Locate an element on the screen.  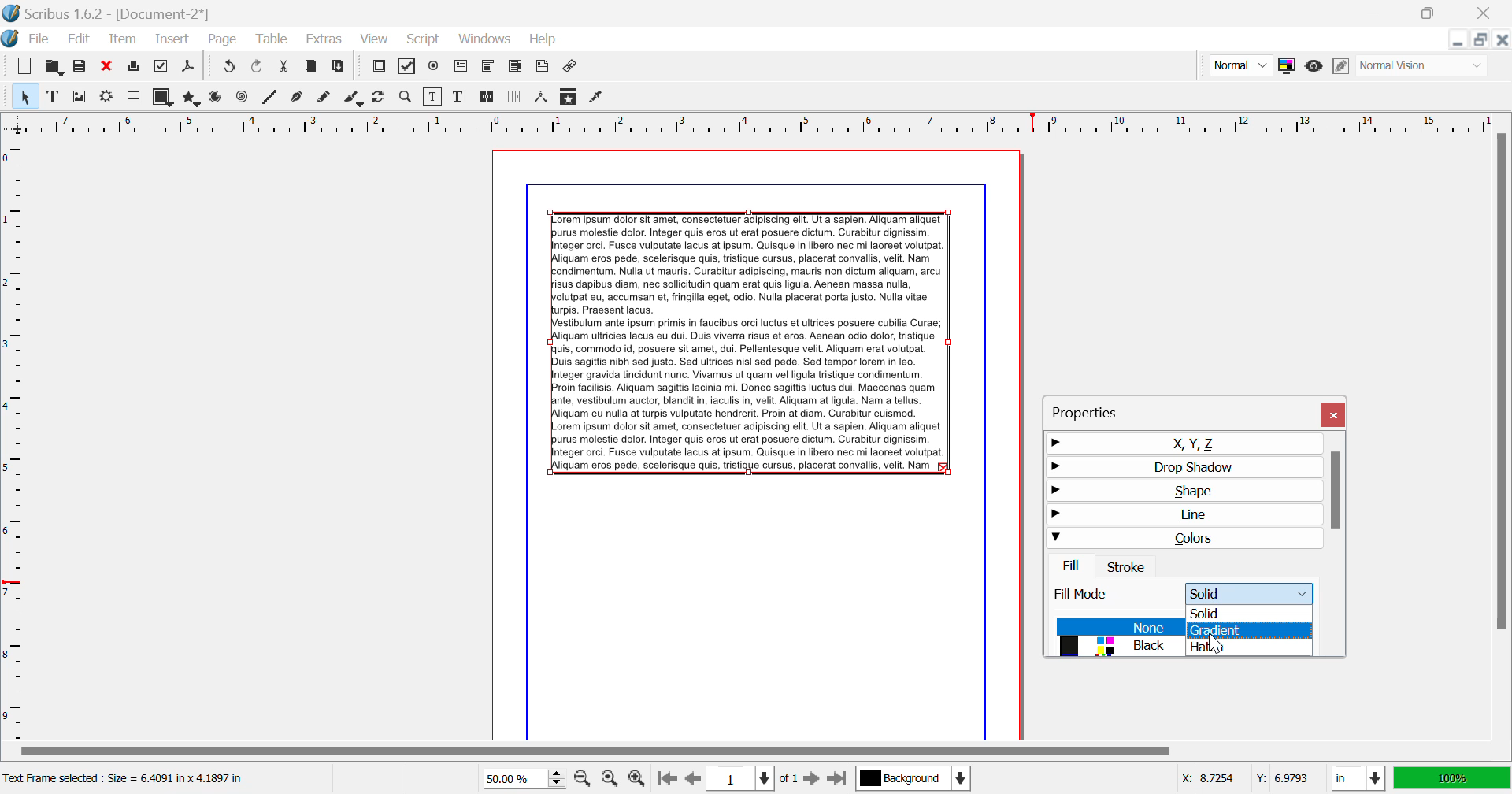
Toggle Color Management is located at coordinates (1286, 65).